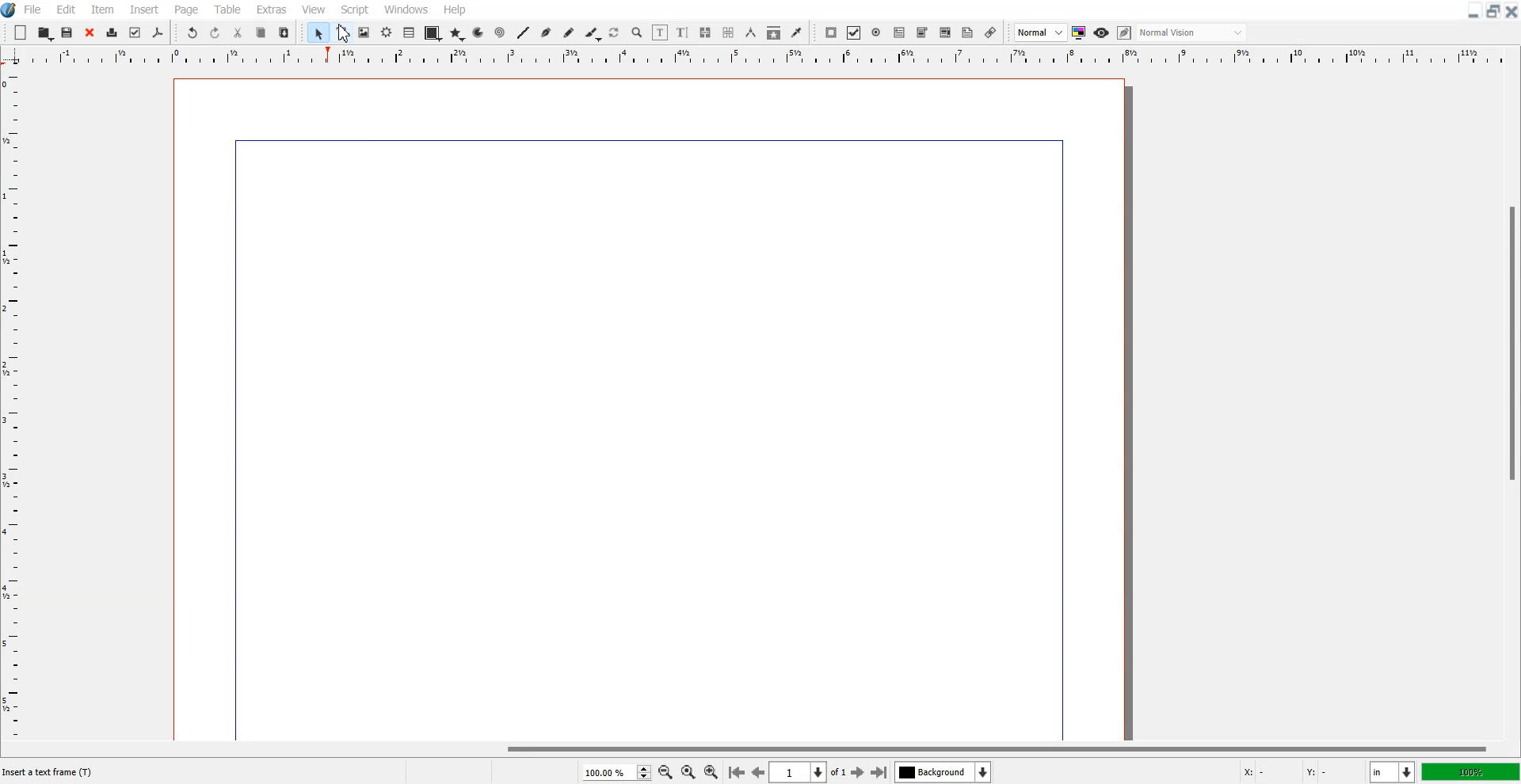 Image resolution: width=1521 pixels, height=784 pixels. What do you see at coordinates (364, 32) in the screenshot?
I see `Image Frame` at bounding box center [364, 32].